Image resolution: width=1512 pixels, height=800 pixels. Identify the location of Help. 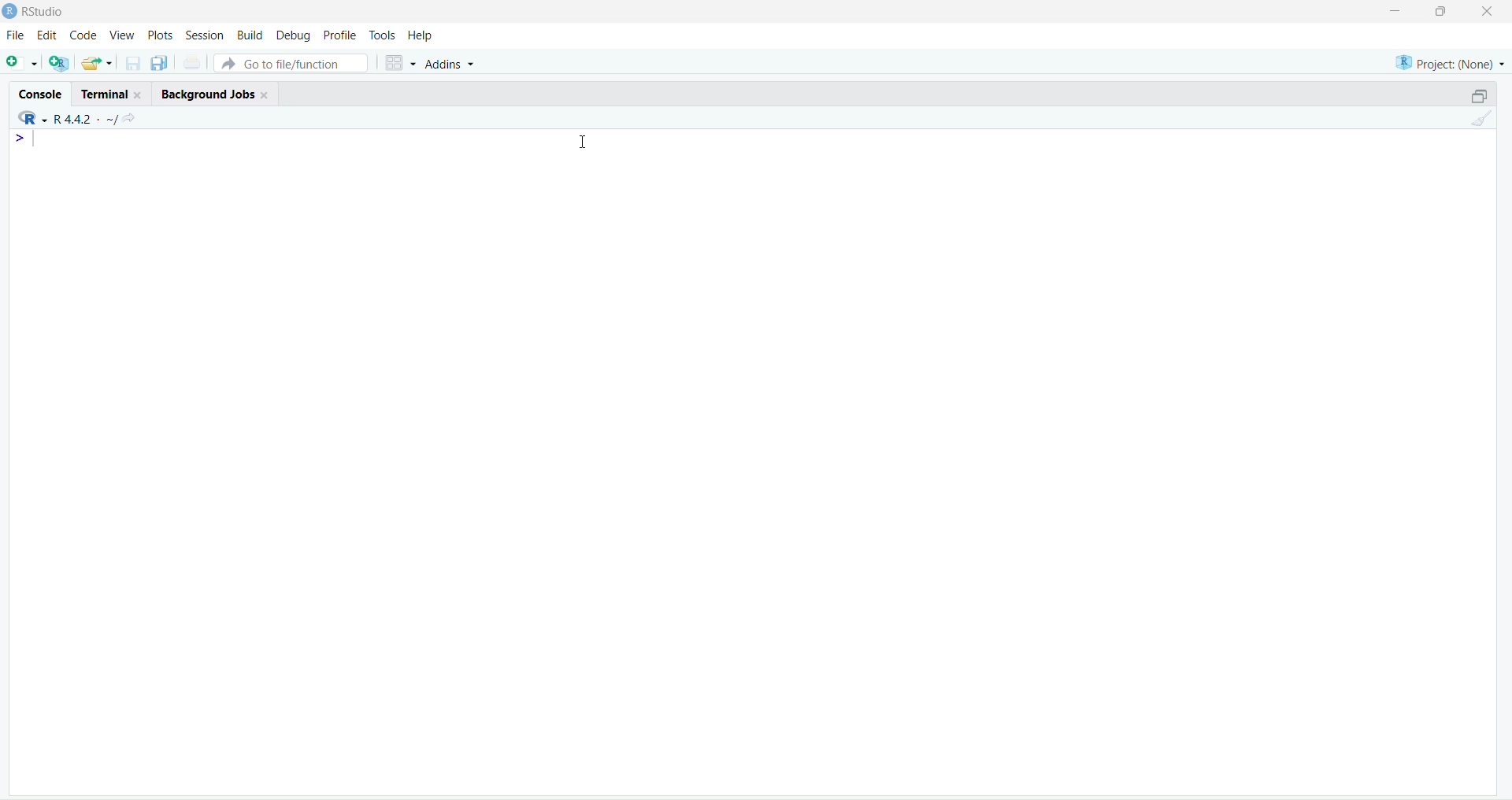
(421, 35).